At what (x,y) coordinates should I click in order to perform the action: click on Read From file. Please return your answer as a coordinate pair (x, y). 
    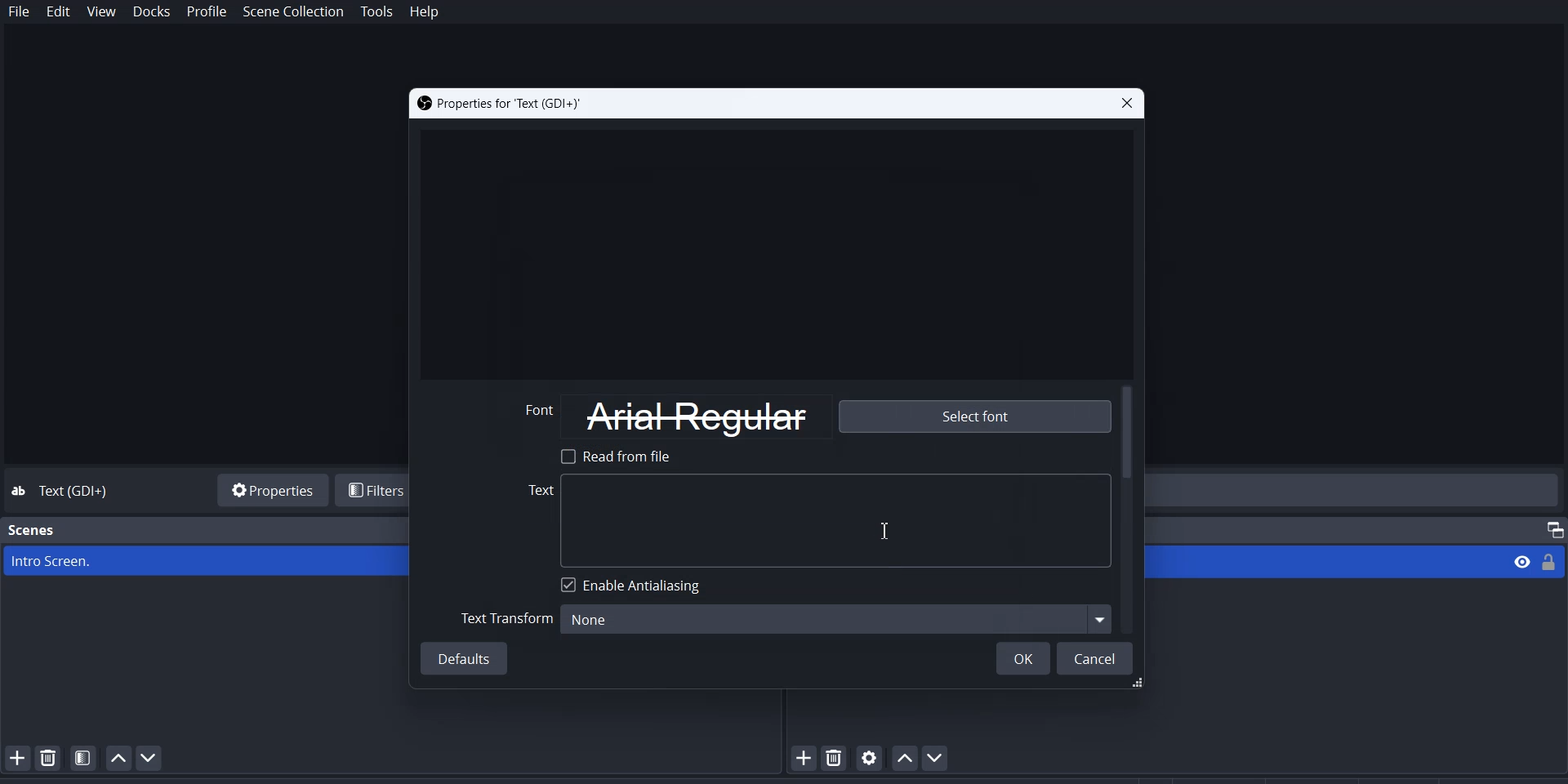
    Looking at the image, I should click on (621, 456).